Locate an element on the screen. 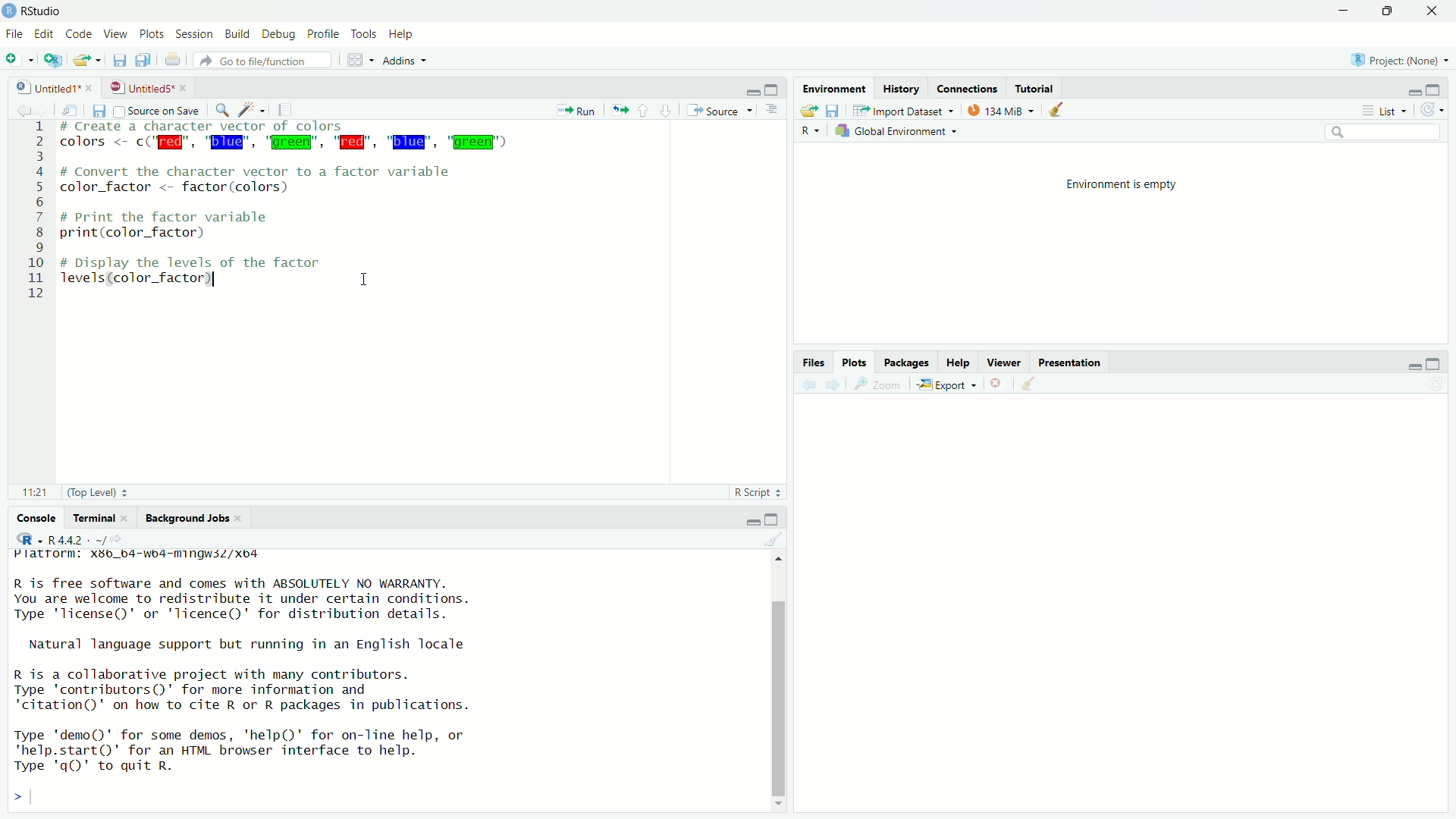  go back to the previous source location is located at coordinates (17, 110).